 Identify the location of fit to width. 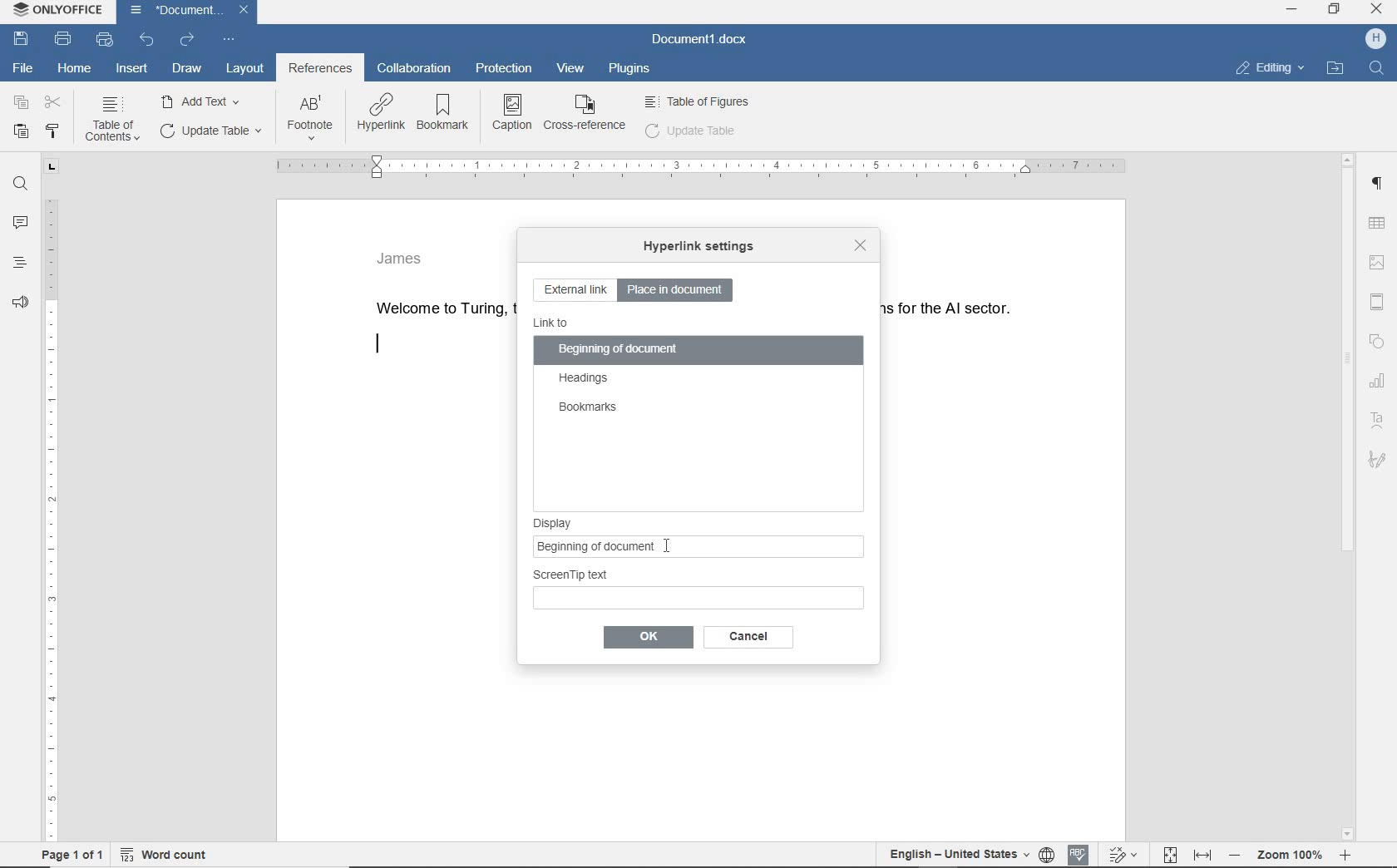
(1202, 854).